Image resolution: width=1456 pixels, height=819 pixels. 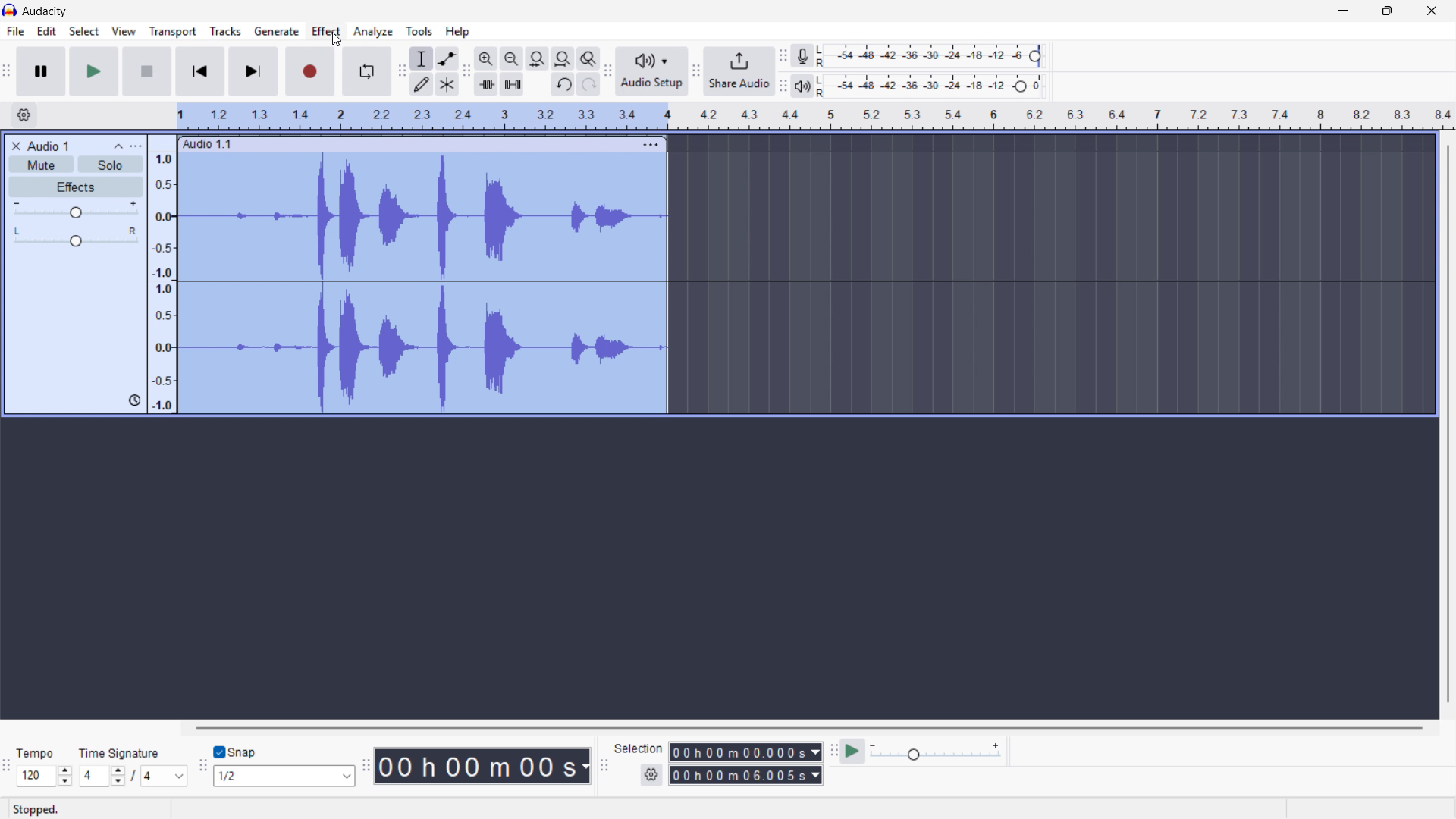 I want to click on Enable loop , so click(x=367, y=71).